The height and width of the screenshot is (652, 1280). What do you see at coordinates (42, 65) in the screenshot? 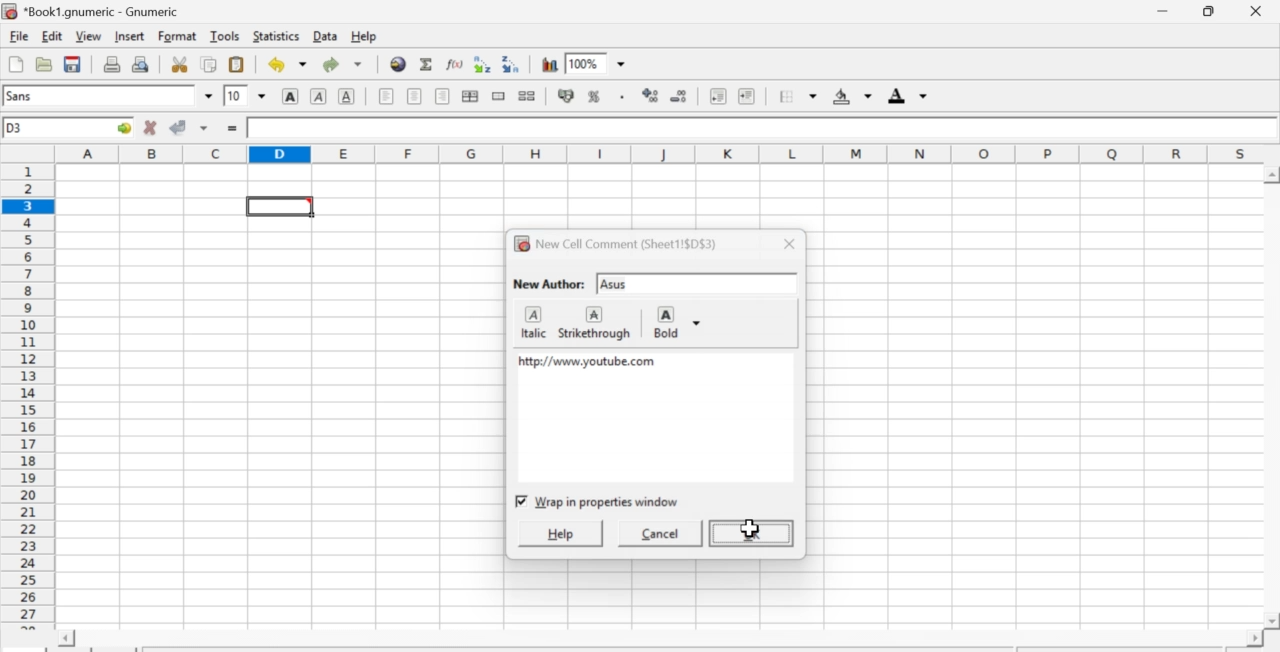
I see `Open a file` at bounding box center [42, 65].